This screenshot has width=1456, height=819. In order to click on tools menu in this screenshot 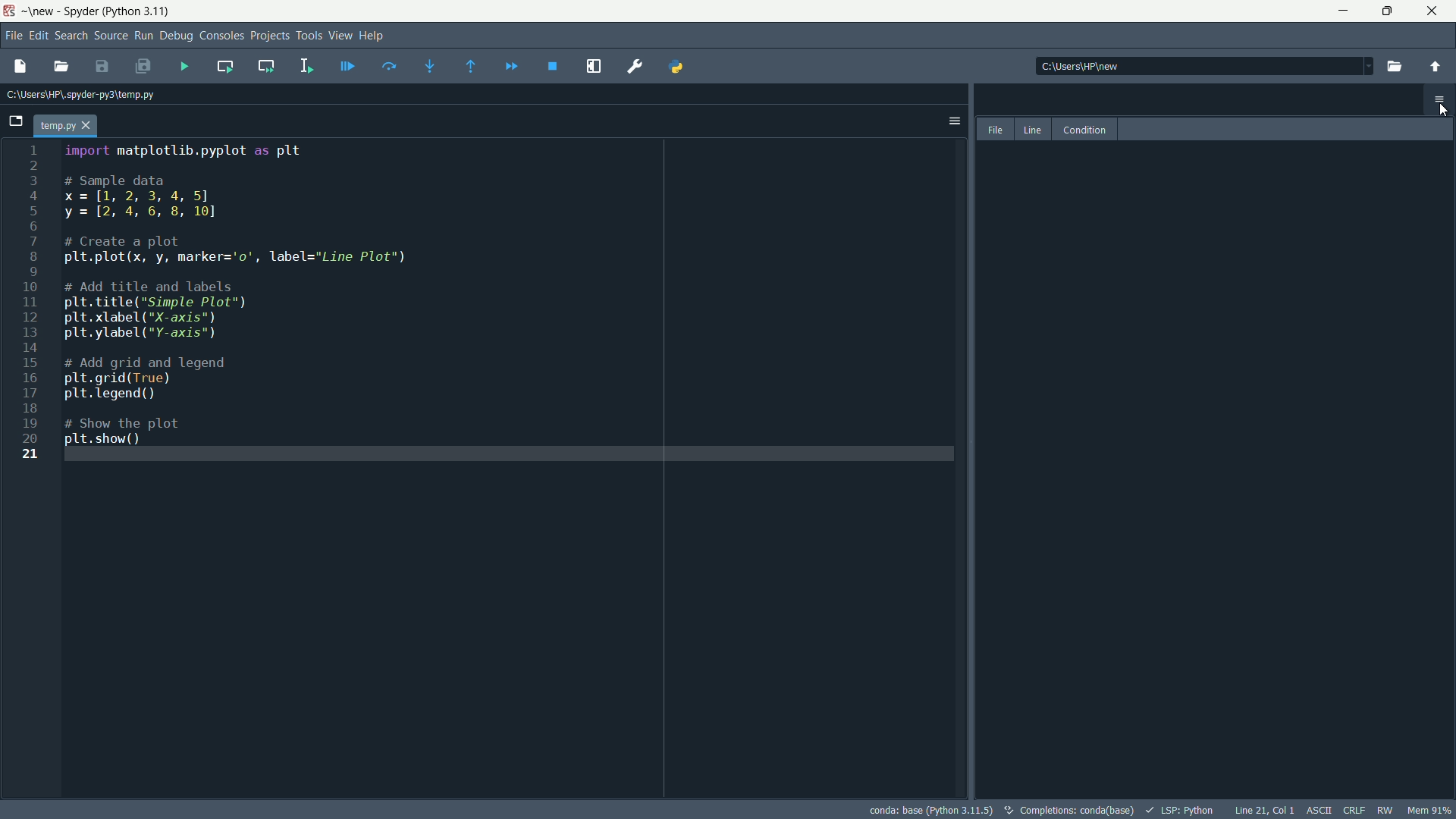, I will do `click(307, 35)`.